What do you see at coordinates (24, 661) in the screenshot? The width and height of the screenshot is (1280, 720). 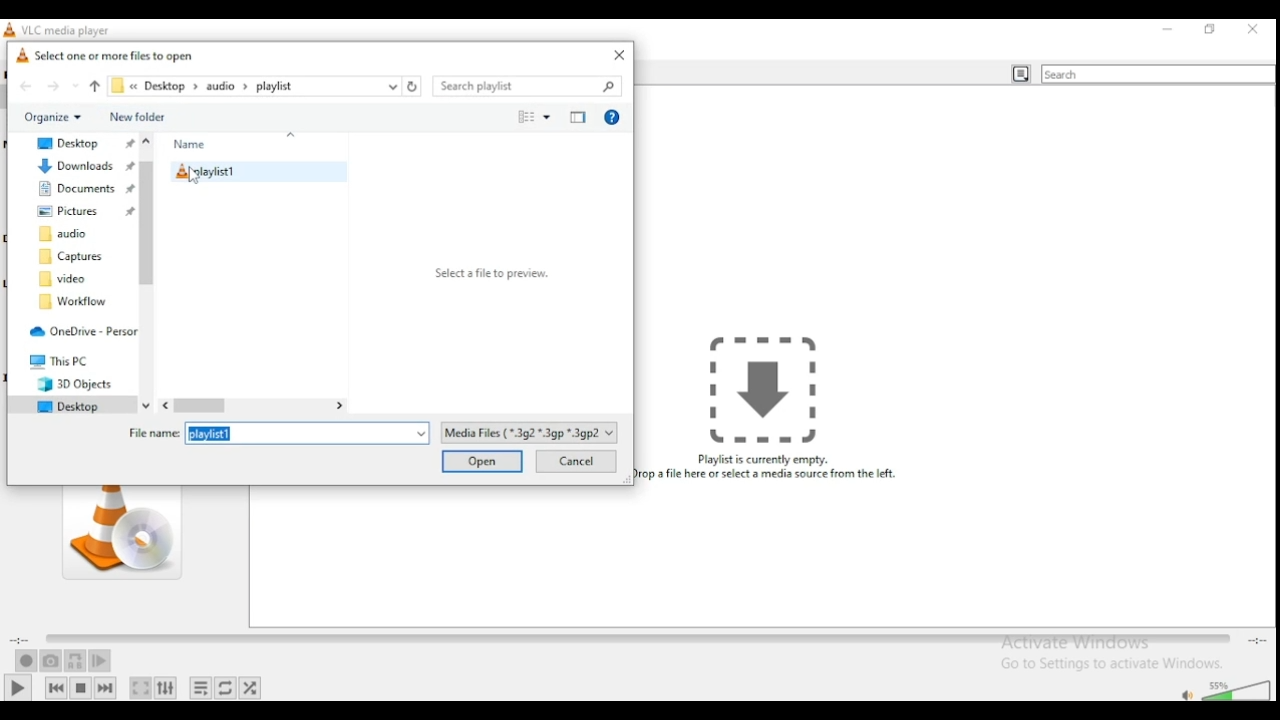 I see `record` at bounding box center [24, 661].